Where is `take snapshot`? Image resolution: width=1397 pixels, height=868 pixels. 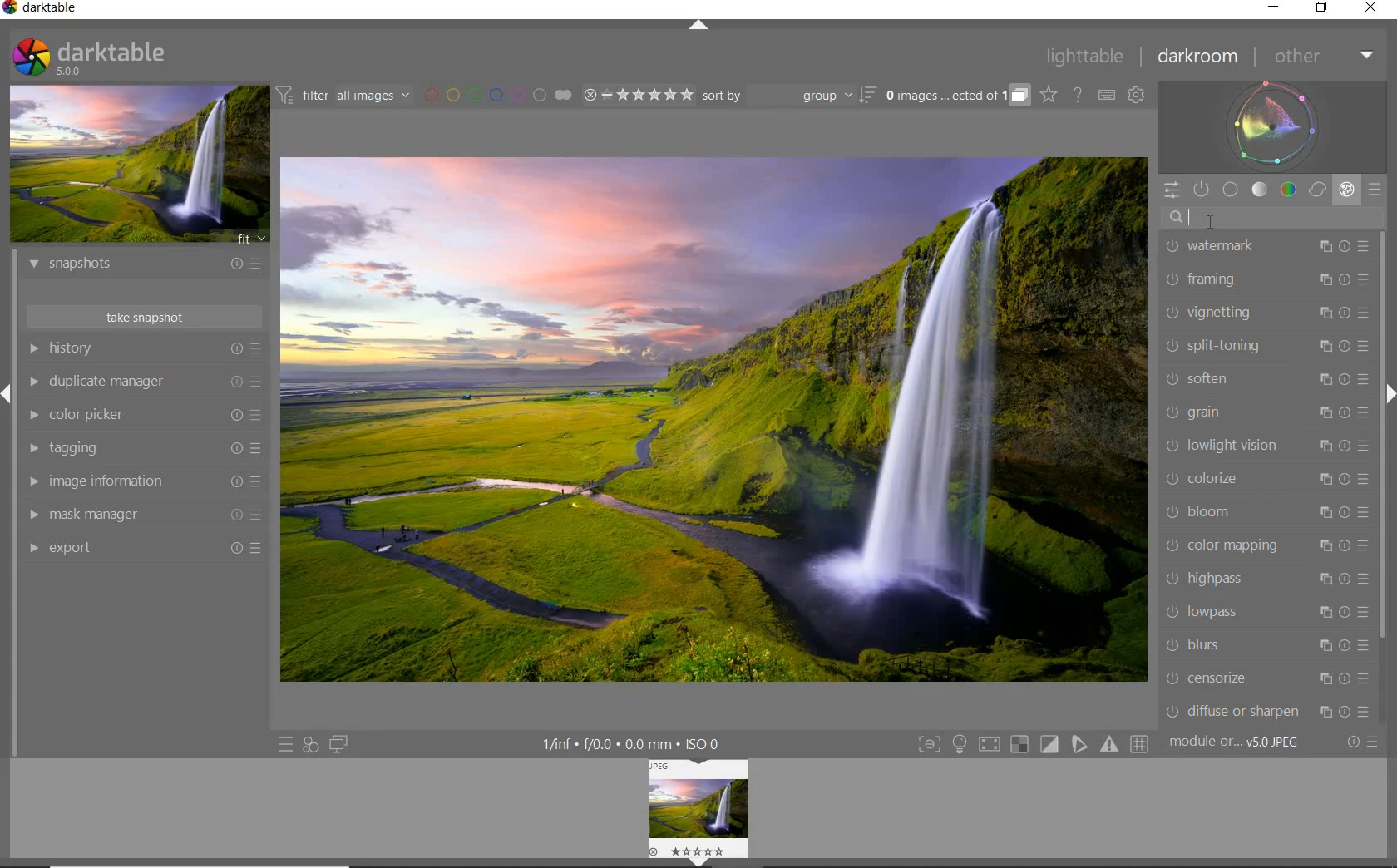
take snapshot is located at coordinates (144, 315).